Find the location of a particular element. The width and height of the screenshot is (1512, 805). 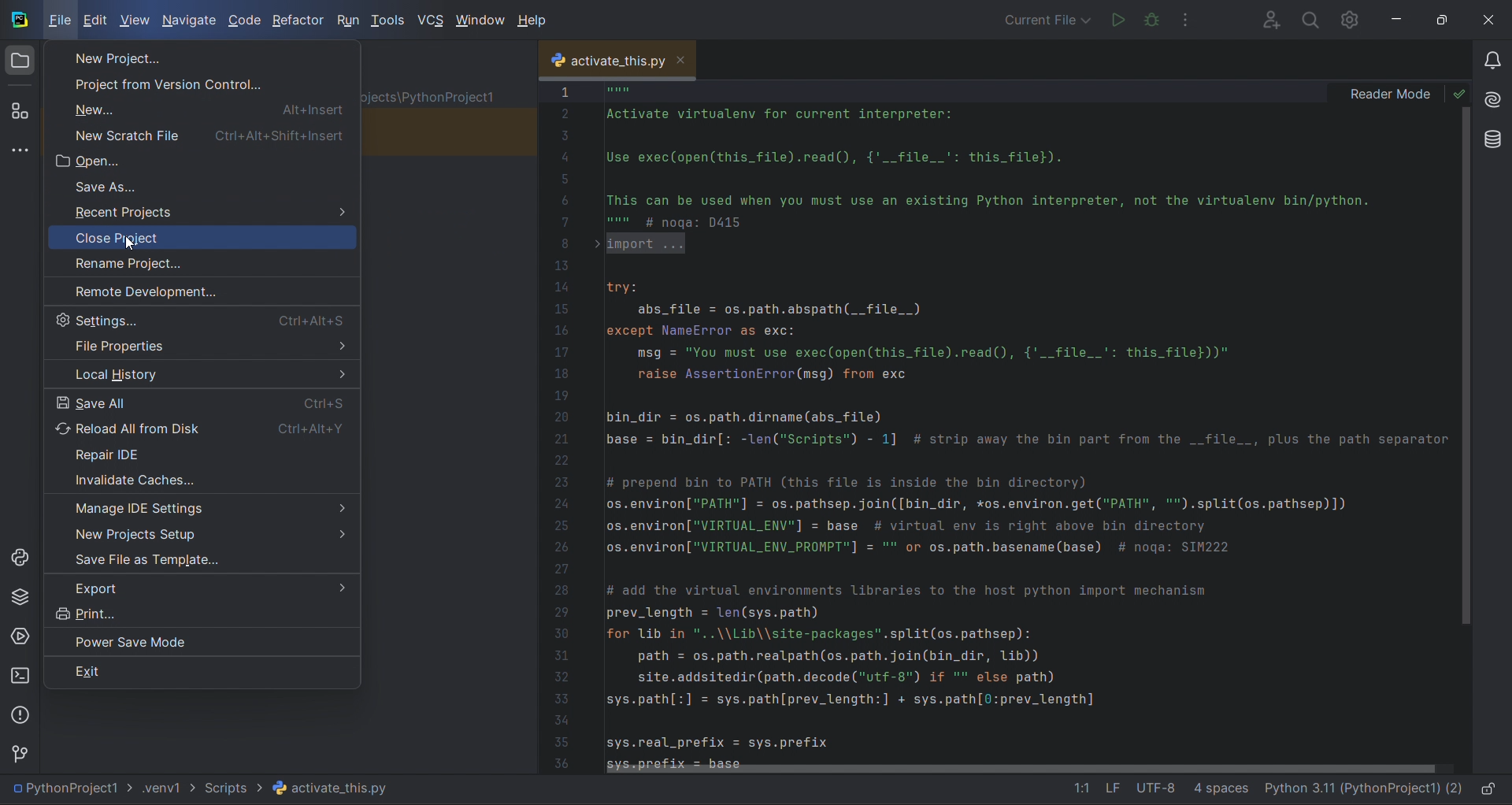

window is located at coordinates (479, 22).